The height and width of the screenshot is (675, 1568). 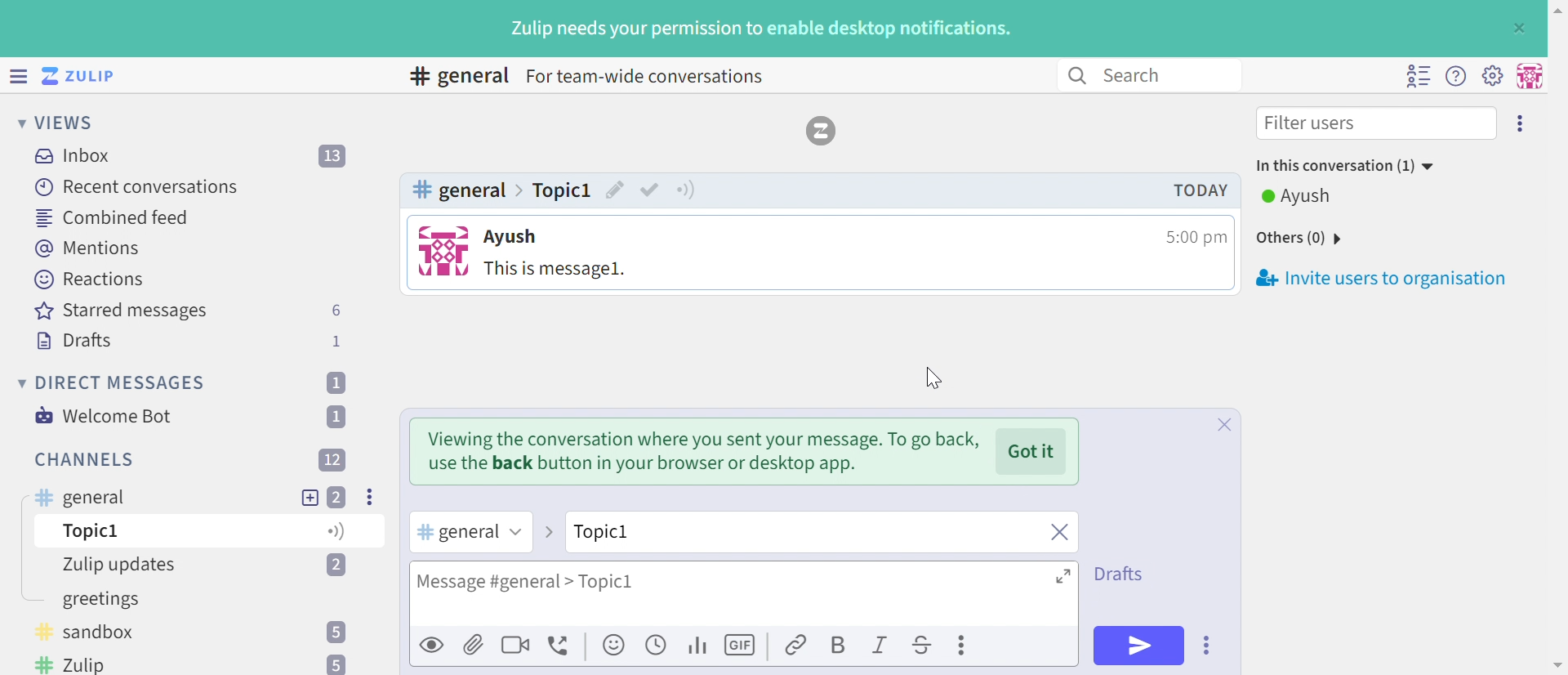 I want to click on 2, so click(x=337, y=497).